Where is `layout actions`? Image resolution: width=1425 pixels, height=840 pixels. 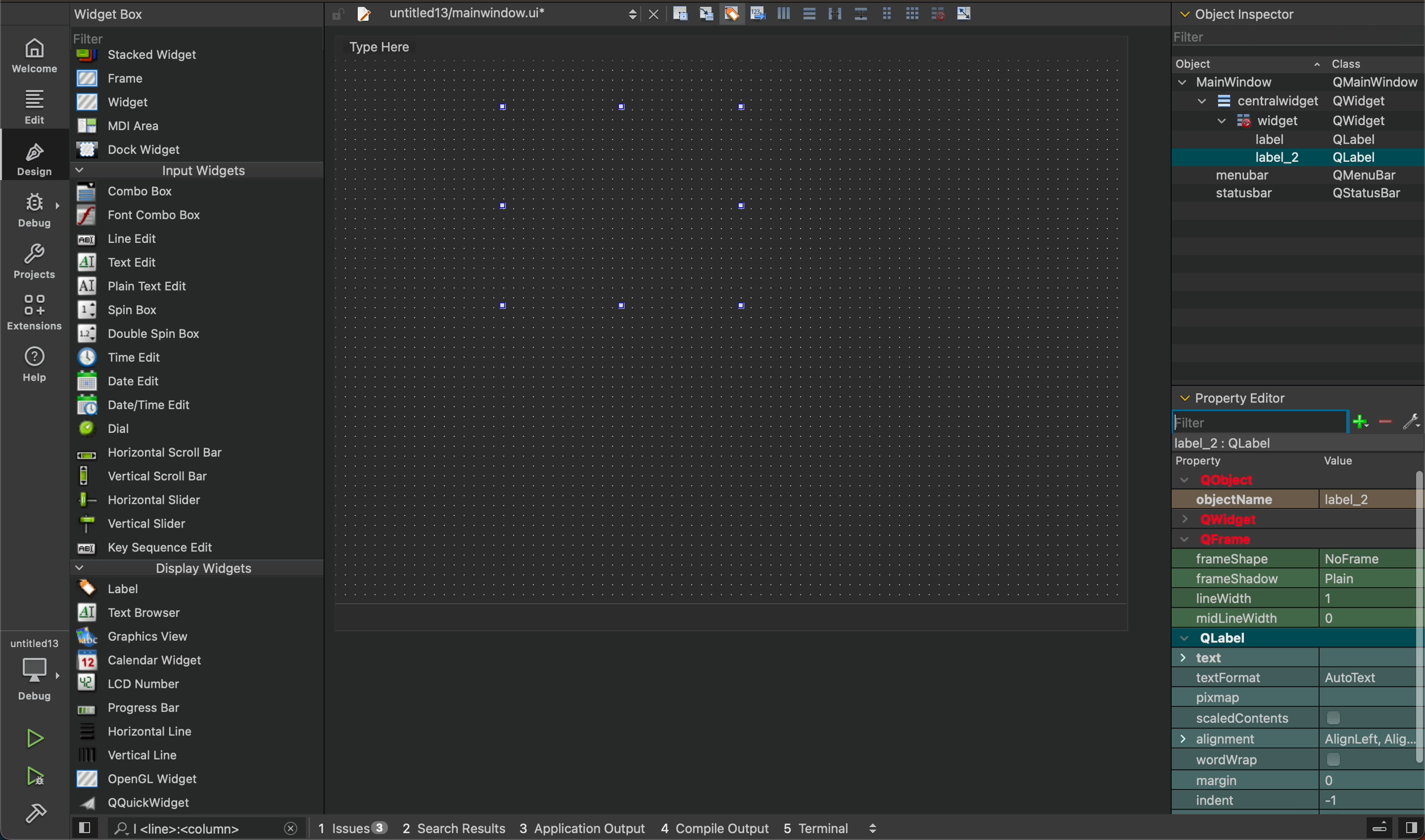 layout actions is located at coordinates (828, 16).